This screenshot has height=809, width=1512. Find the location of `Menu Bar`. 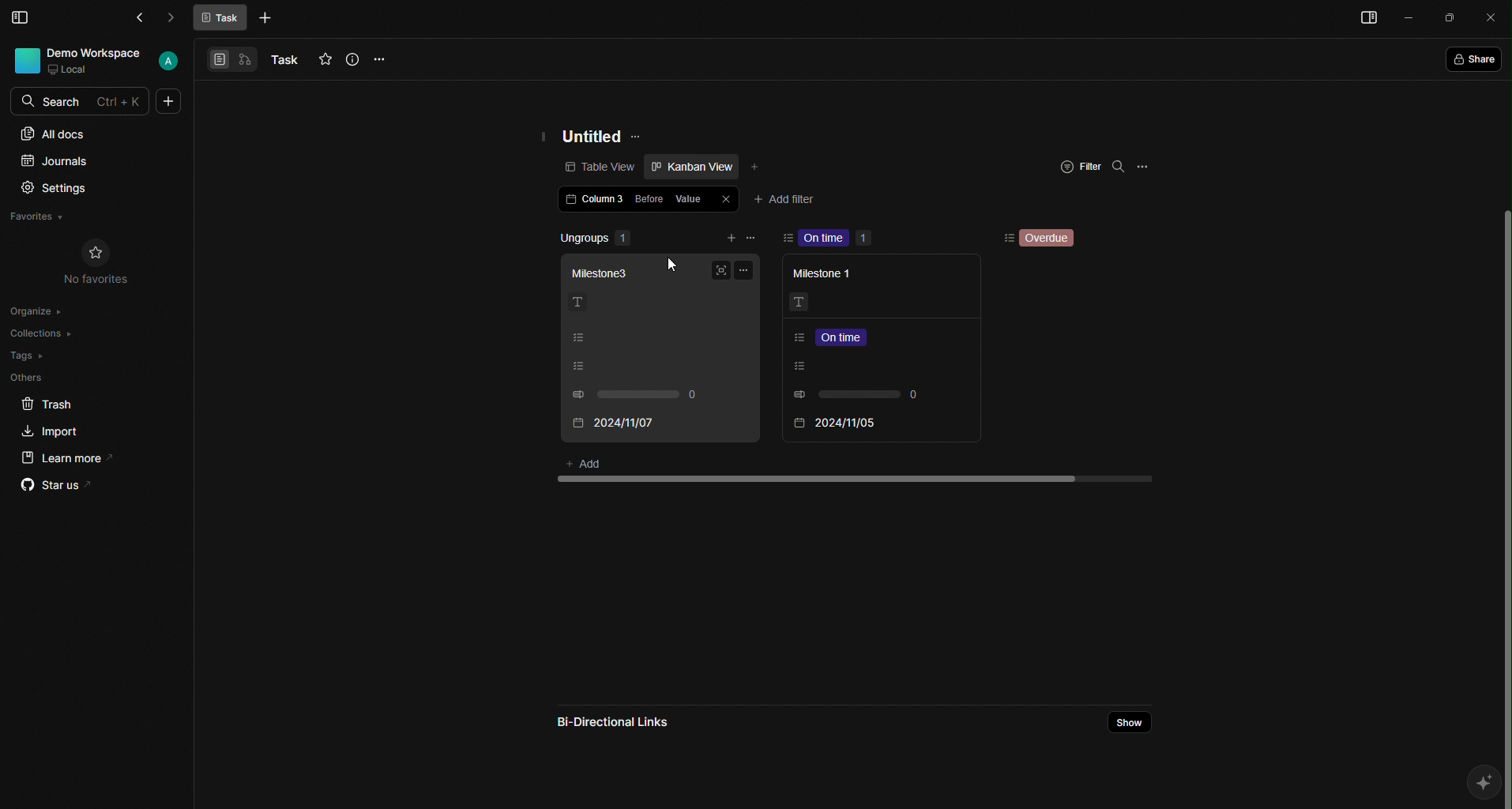

Menu Bar is located at coordinates (21, 16).